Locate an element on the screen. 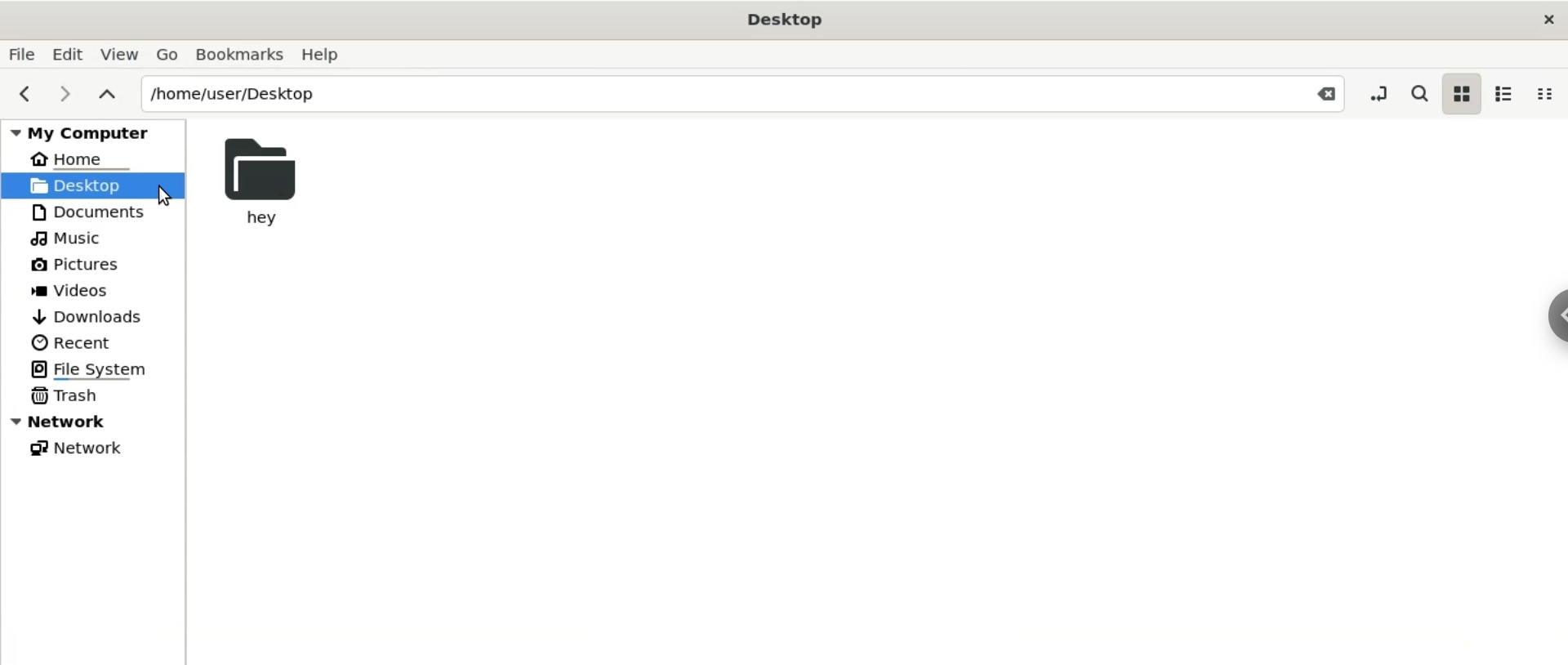 This screenshot has width=1568, height=665. previous is located at coordinates (31, 94).